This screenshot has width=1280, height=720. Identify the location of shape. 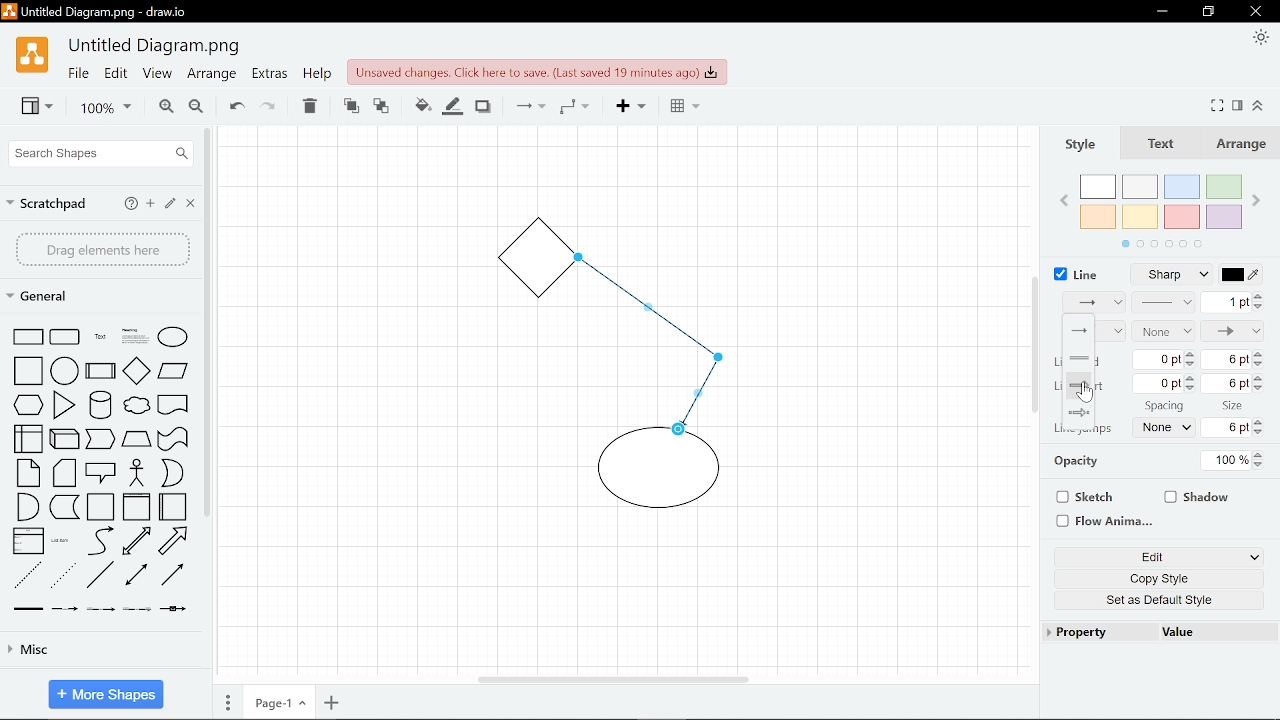
(102, 371).